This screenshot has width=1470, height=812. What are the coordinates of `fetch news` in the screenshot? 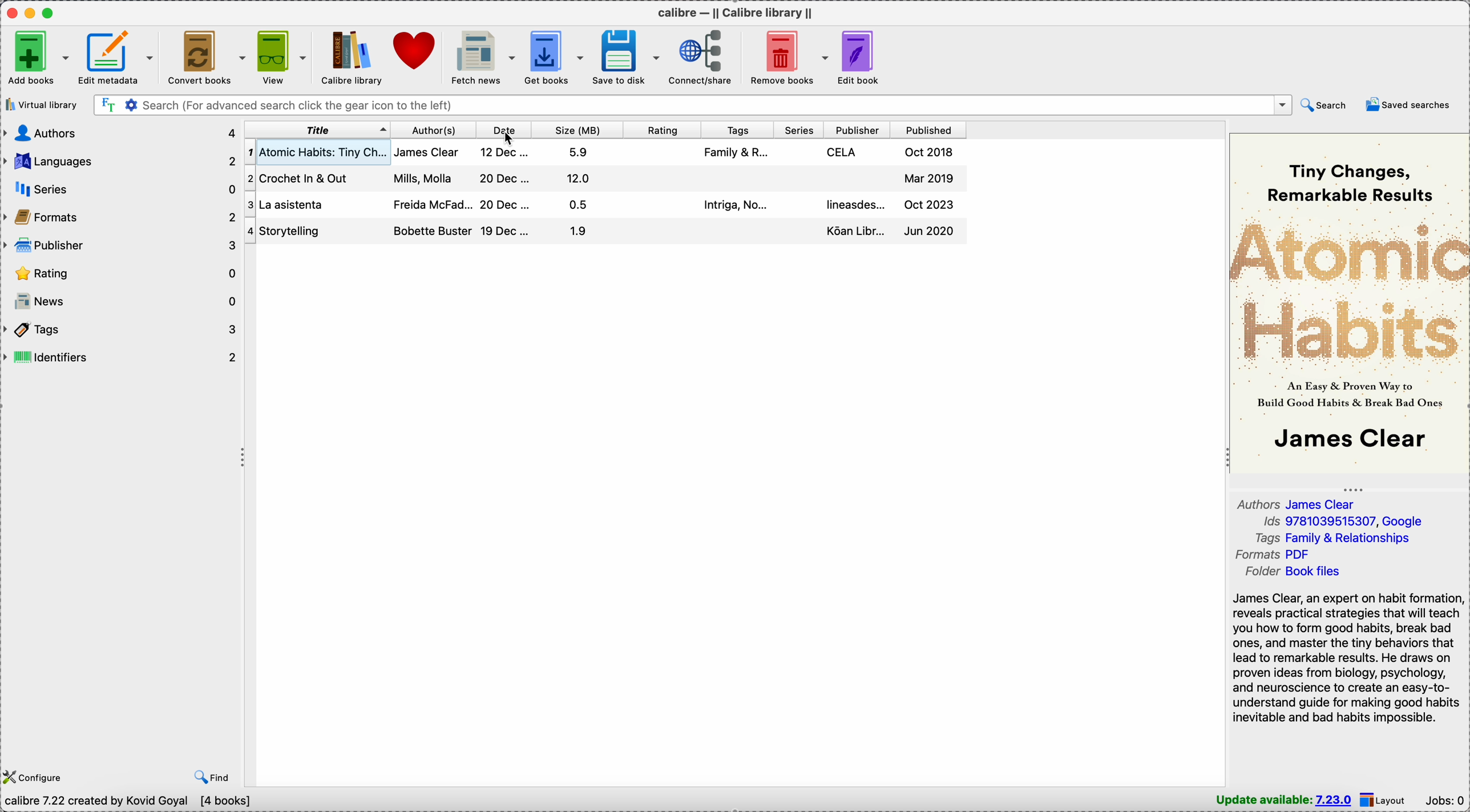 It's located at (483, 58).